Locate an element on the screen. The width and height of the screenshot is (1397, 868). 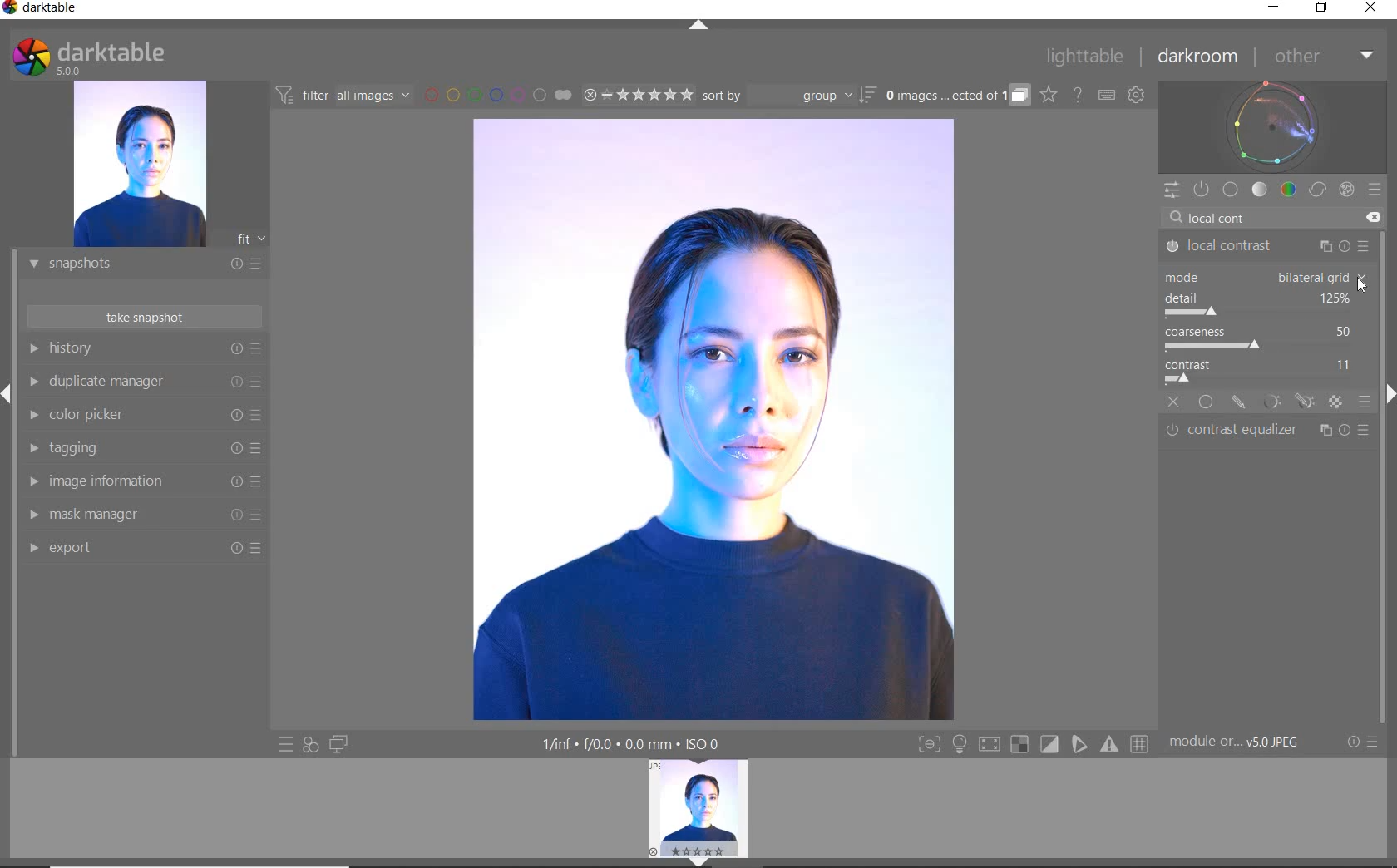
Button is located at coordinates (960, 746).